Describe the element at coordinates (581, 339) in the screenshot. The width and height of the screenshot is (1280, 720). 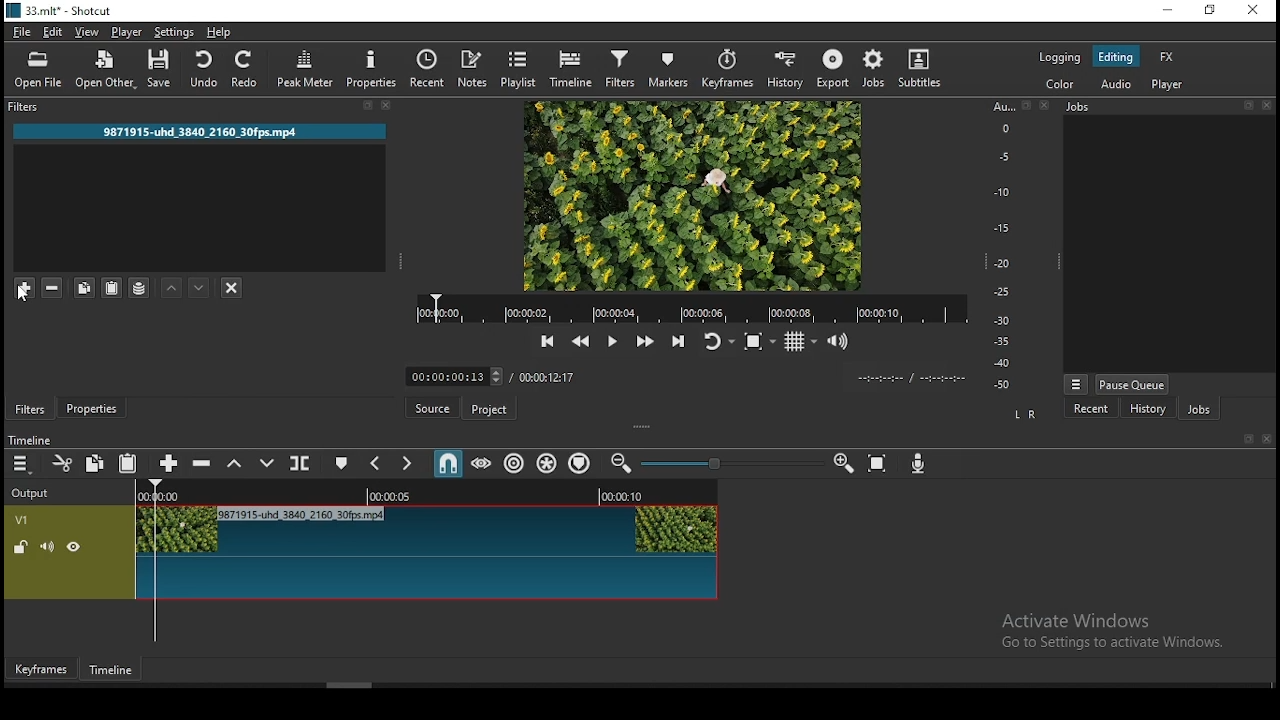
I see `play quickly backwards` at that location.